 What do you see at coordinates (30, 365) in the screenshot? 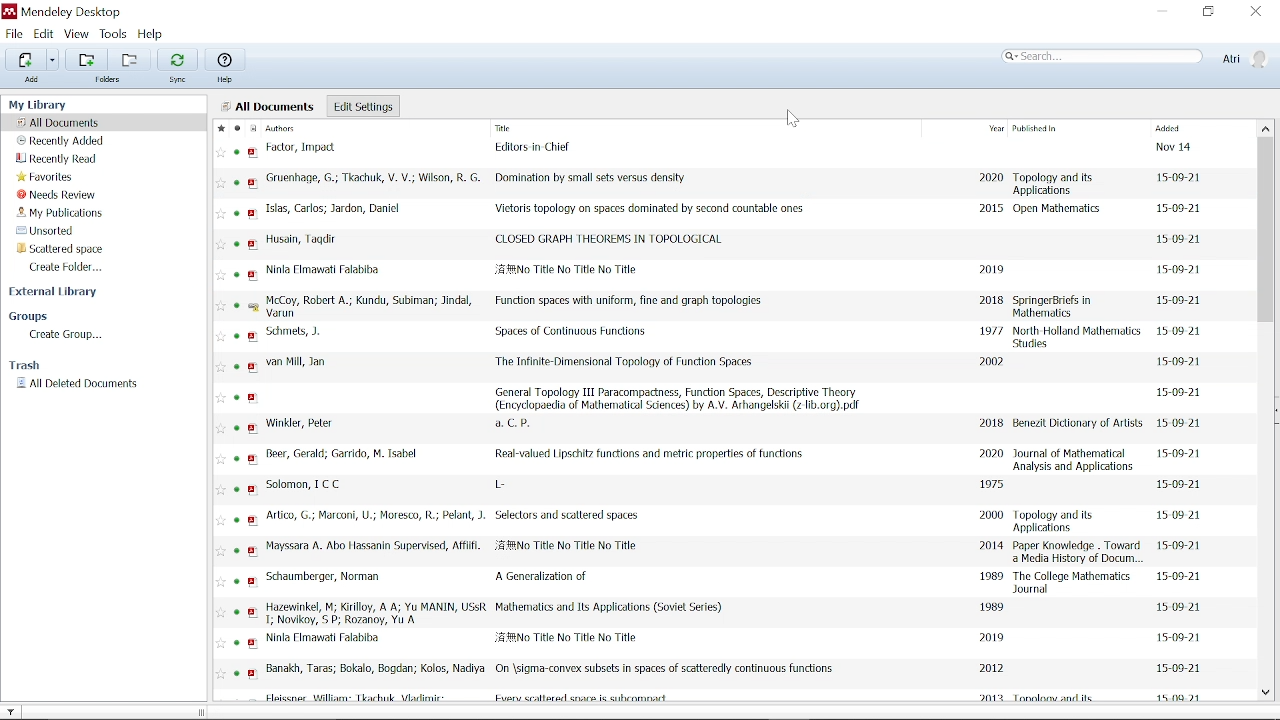
I see `Trash` at bounding box center [30, 365].